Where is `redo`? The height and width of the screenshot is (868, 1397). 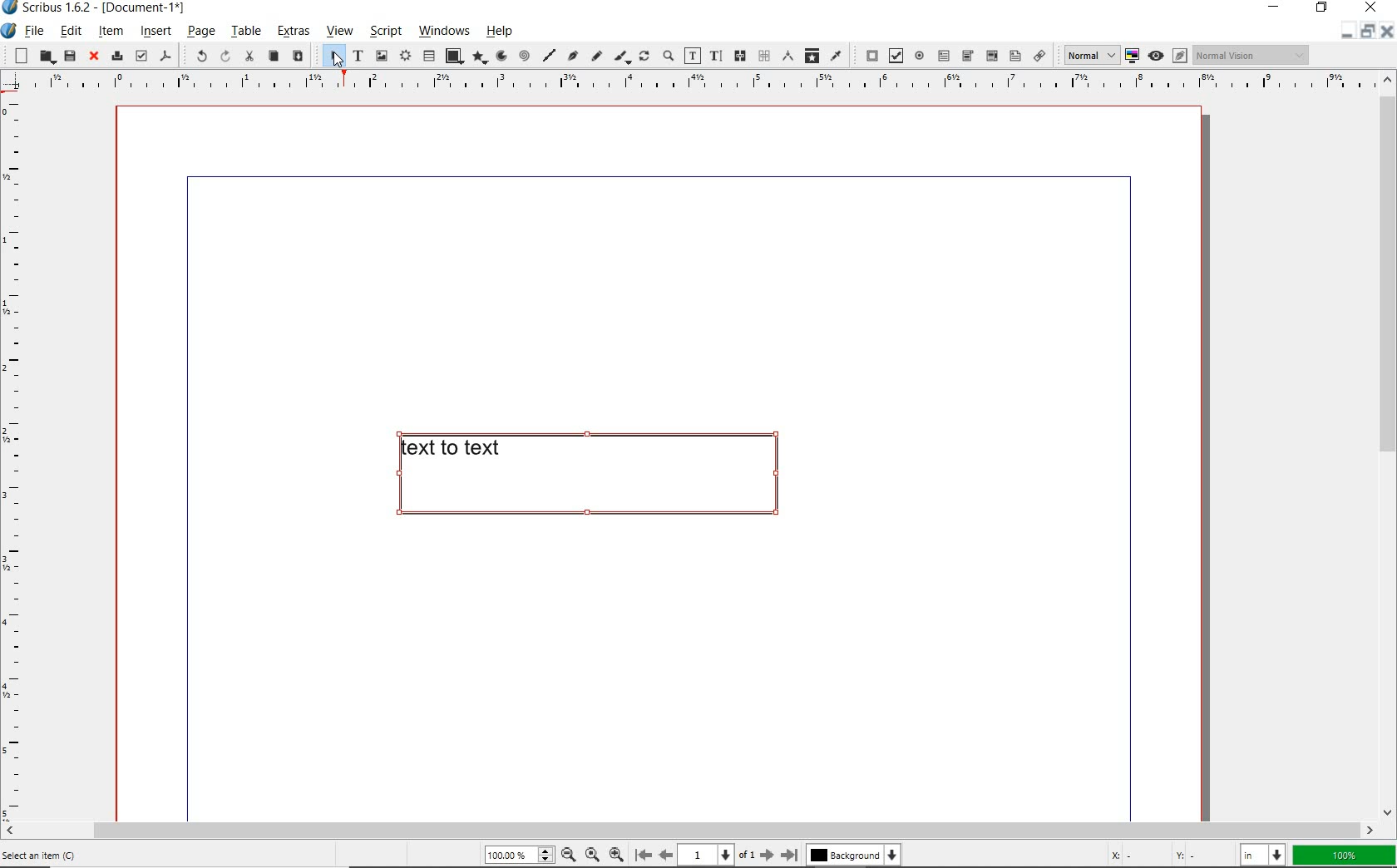 redo is located at coordinates (224, 56).